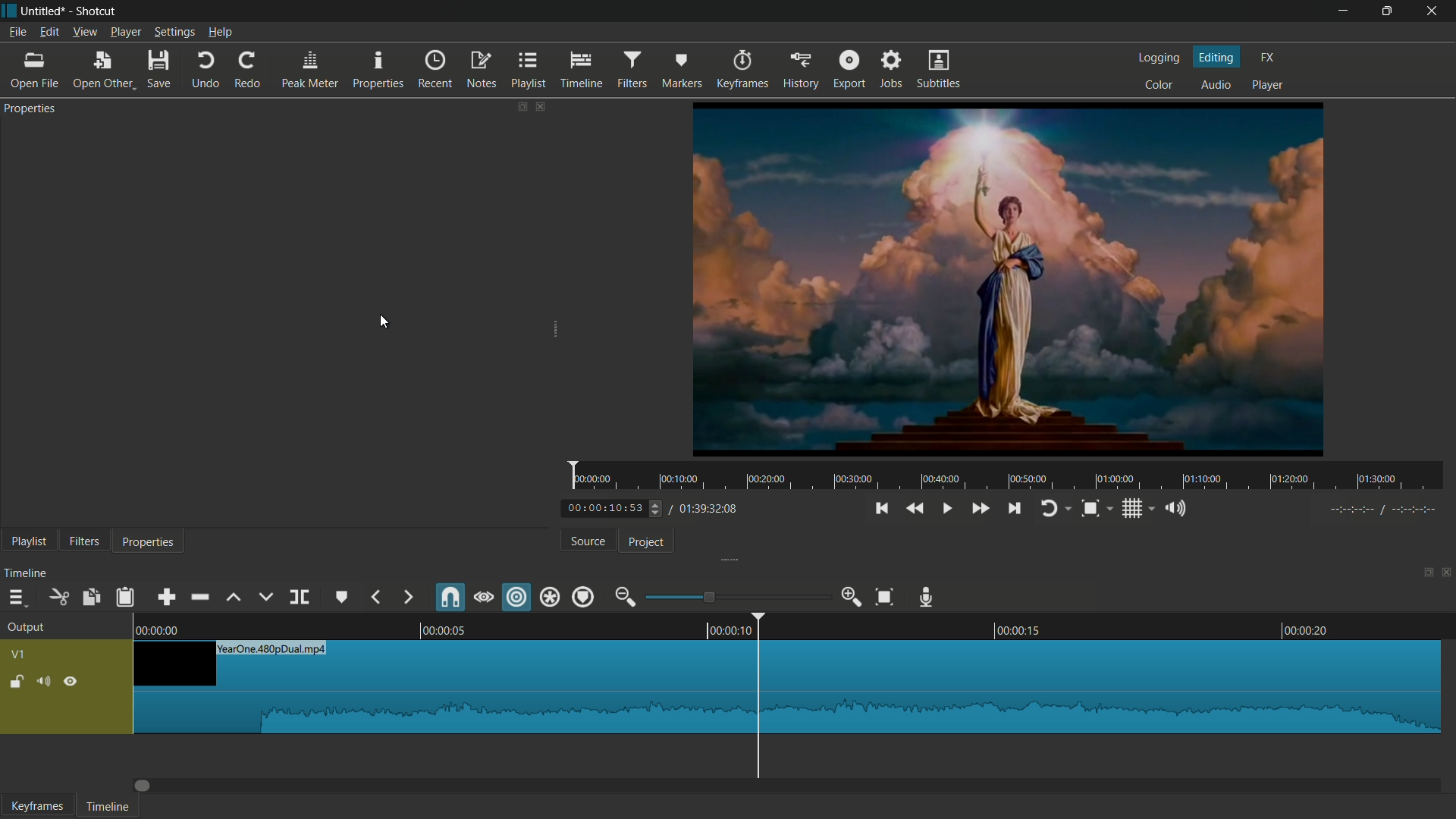  I want to click on player, so click(1267, 85).